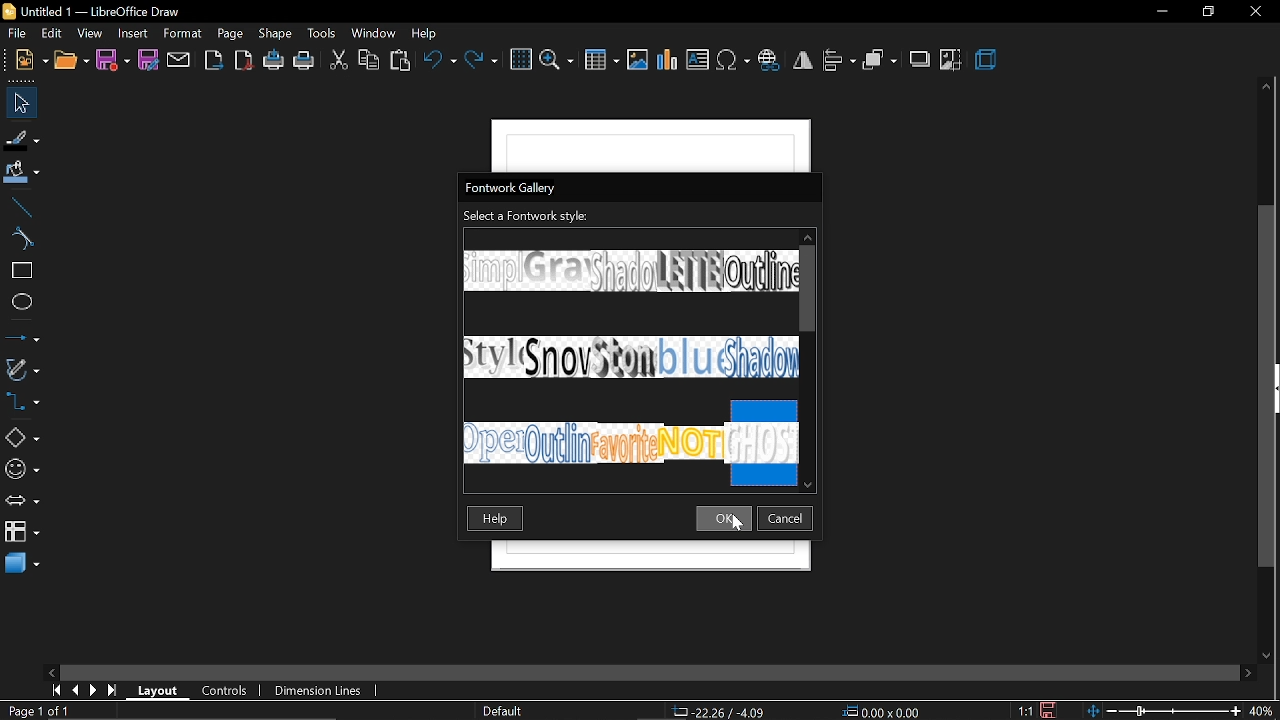  I want to click on insert symbol, so click(734, 61).